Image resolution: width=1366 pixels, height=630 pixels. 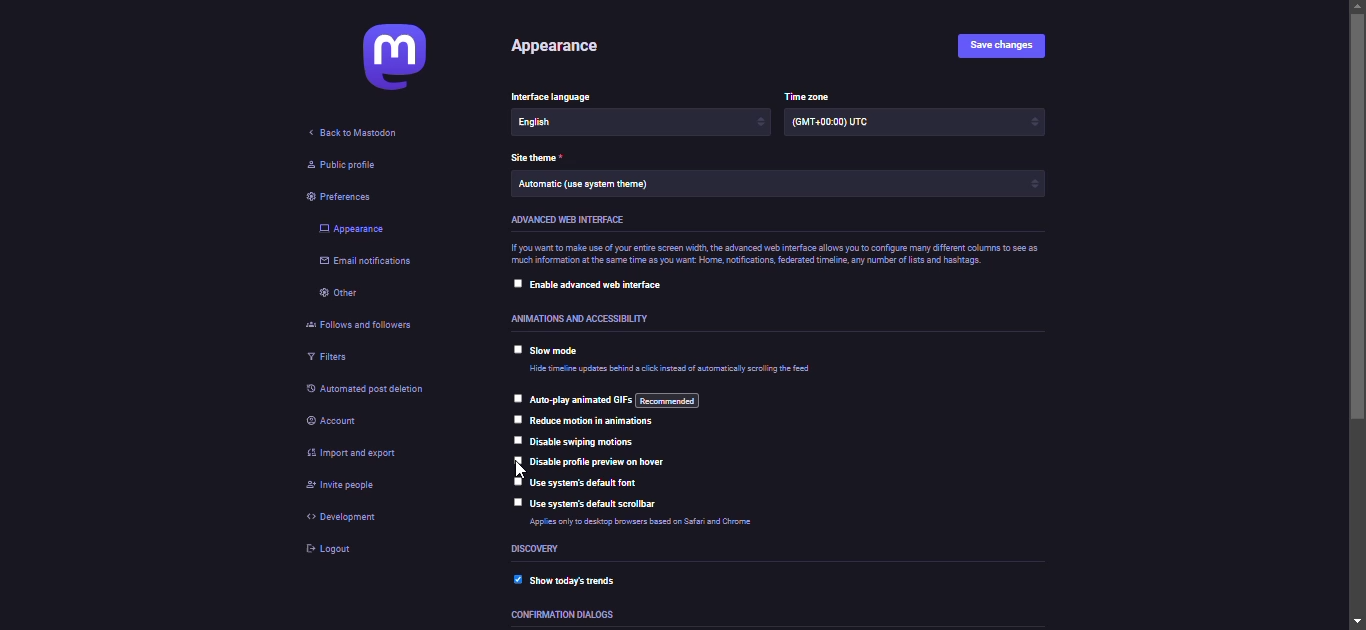 I want to click on email notifications, so click(x=366, y=264).